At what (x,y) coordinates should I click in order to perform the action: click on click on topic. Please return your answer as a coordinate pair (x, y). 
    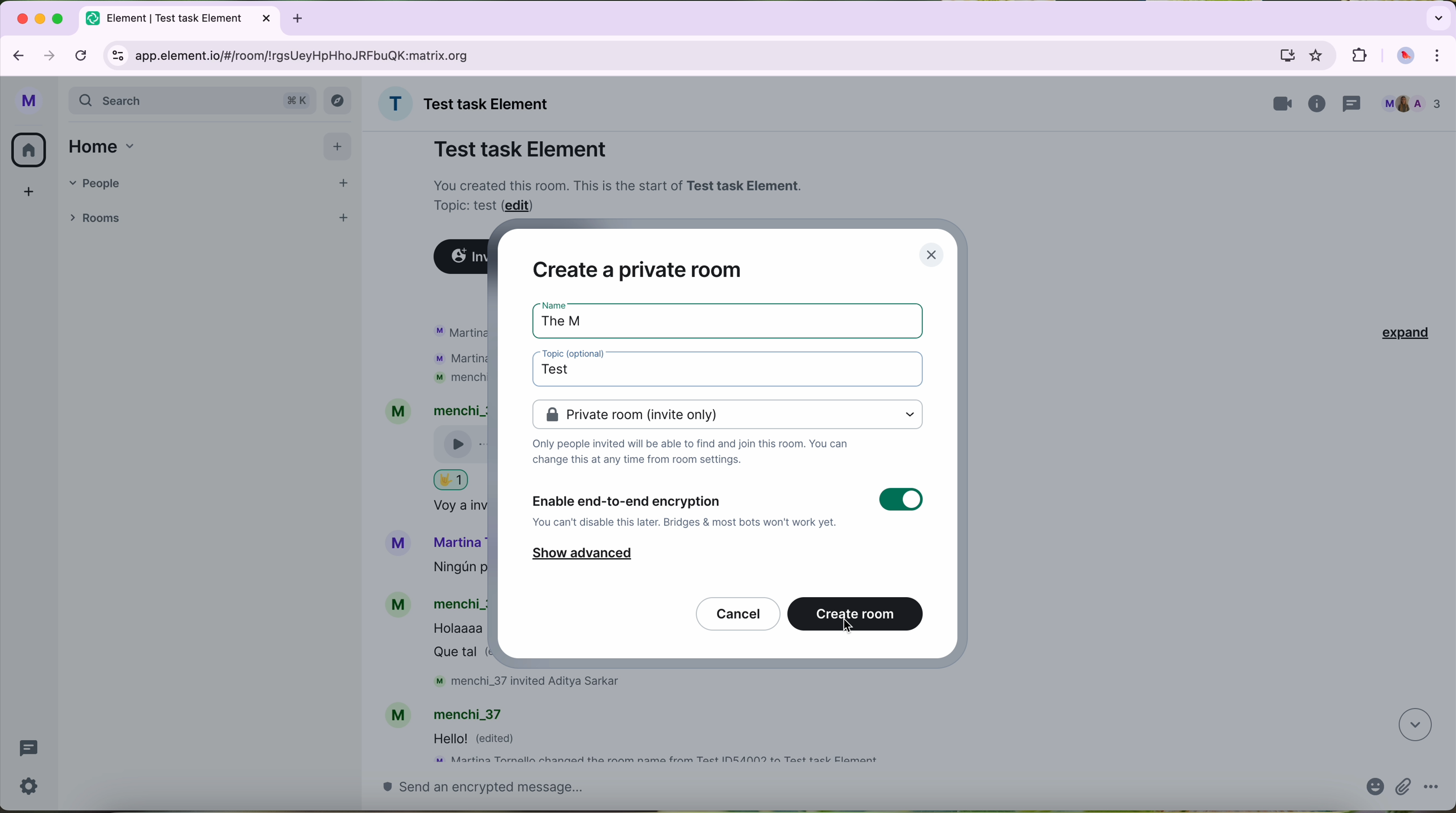
    Looking at the image, I should click on (731, 371).